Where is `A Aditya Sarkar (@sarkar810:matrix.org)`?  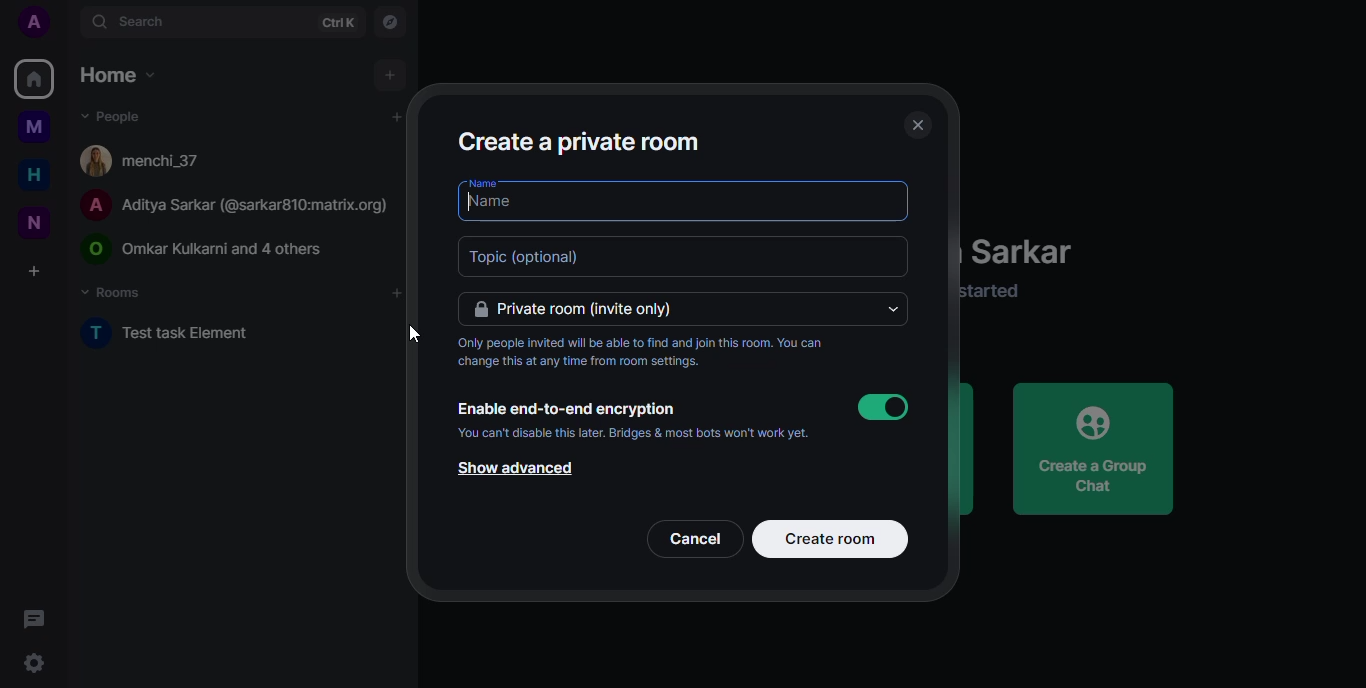 A Aditya Sarkar (@sarkar810:matrix.org) is located at coordinates (241, 202).